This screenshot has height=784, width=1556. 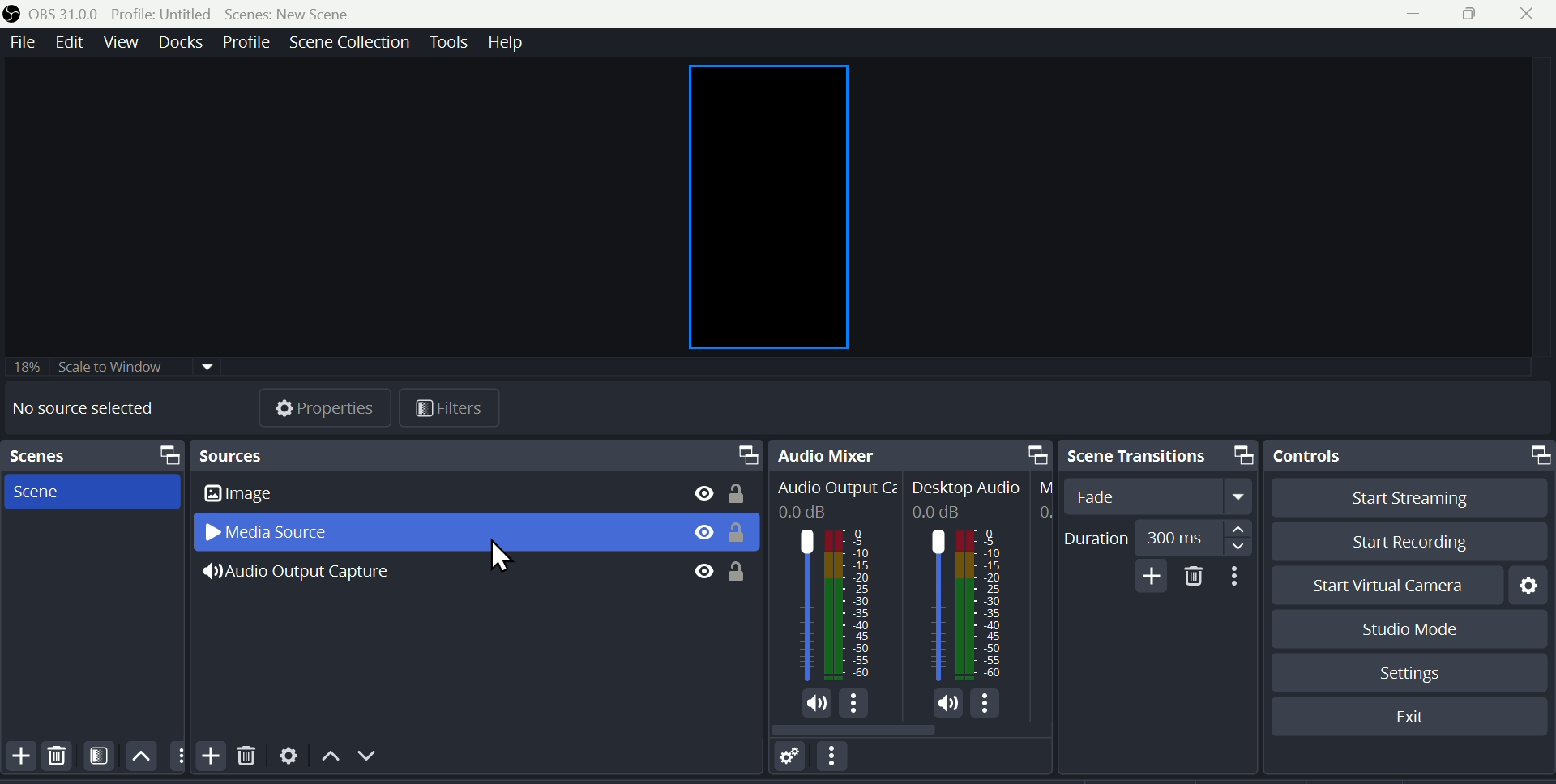 What do you see at coordinates (834, 604) in the screenshot?
I see `Audio output` at bounding box center [834, 604].